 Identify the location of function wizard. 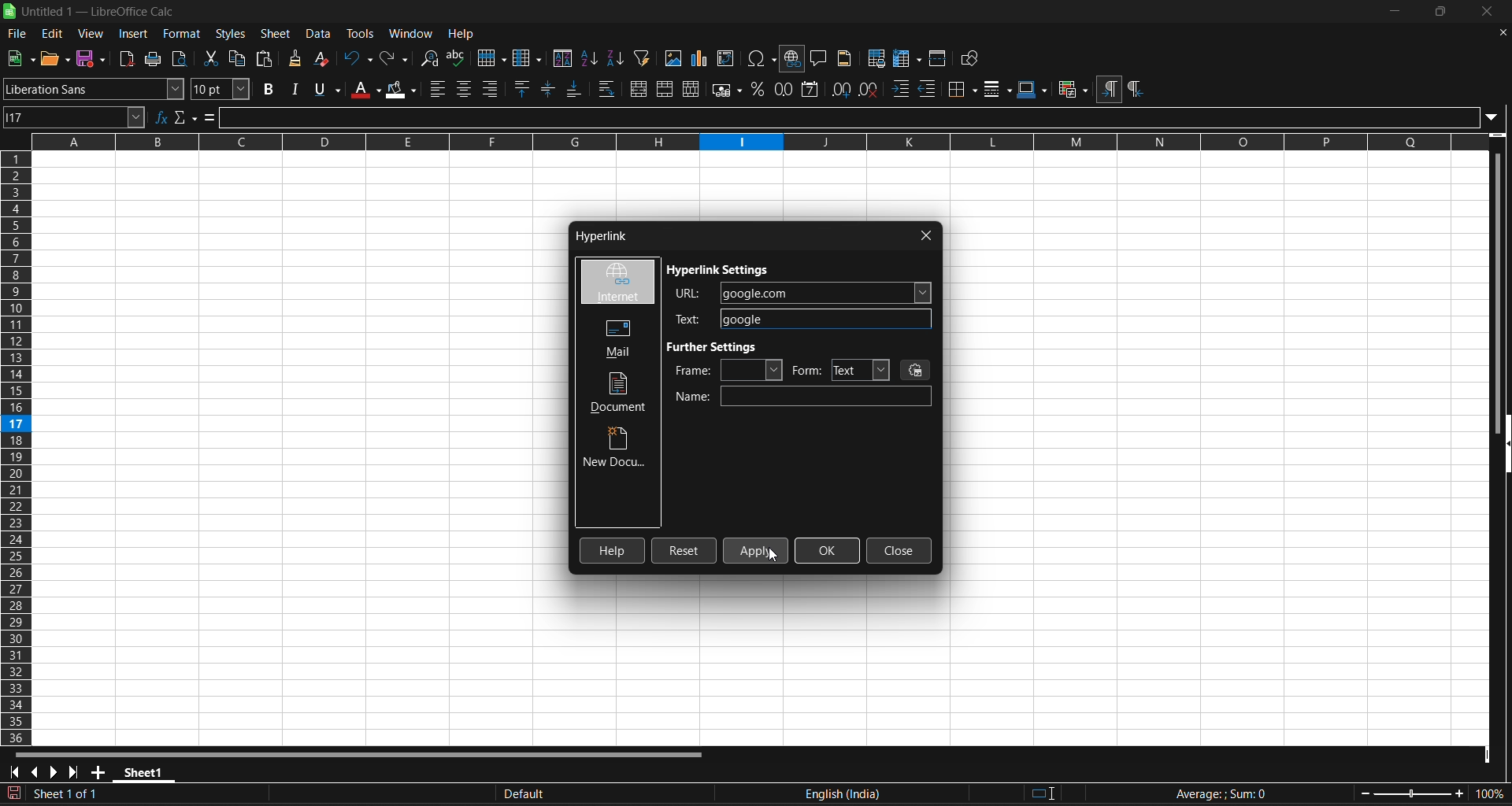
(162, 117).